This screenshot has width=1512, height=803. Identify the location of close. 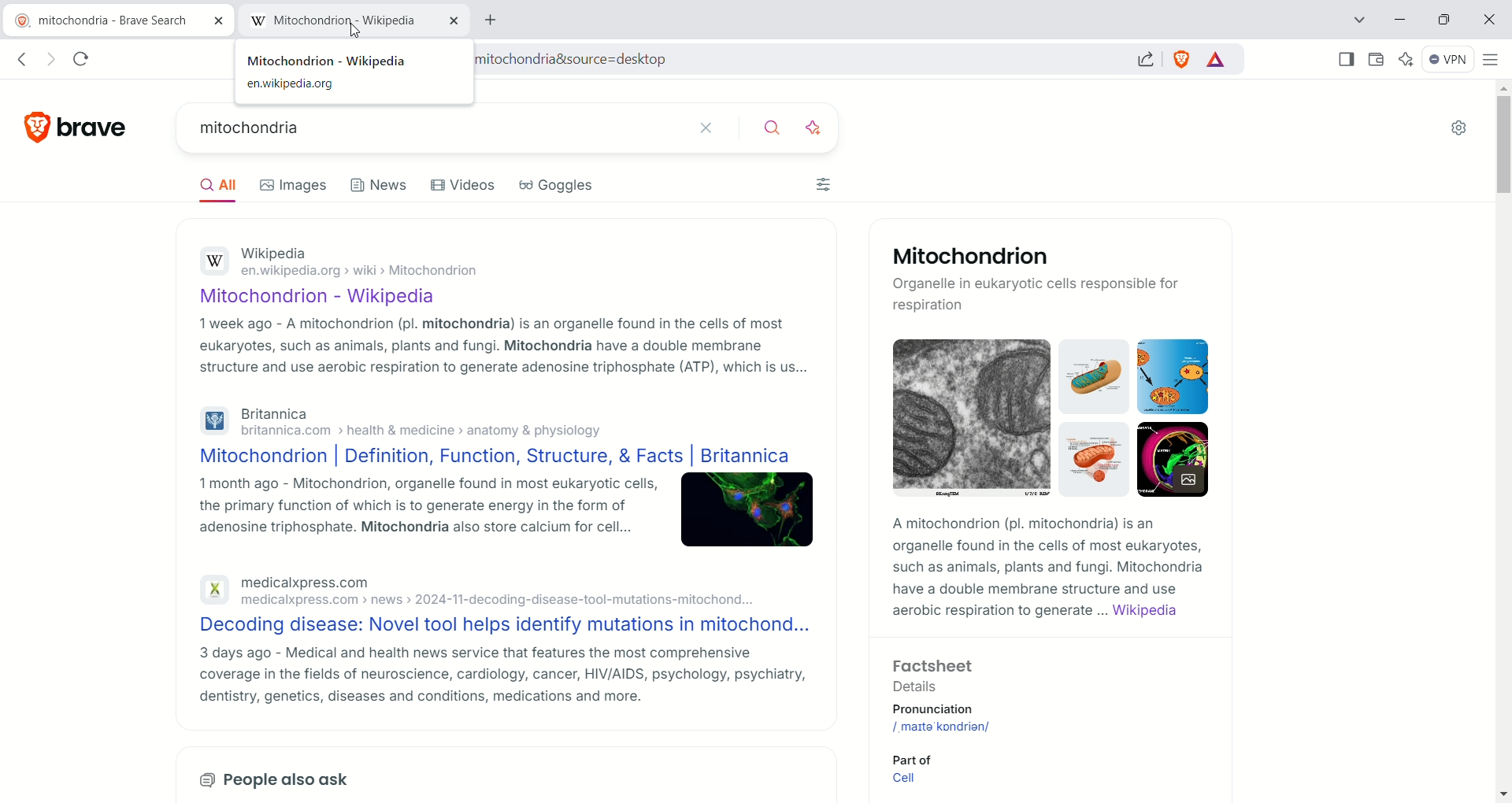
(1491, 20).